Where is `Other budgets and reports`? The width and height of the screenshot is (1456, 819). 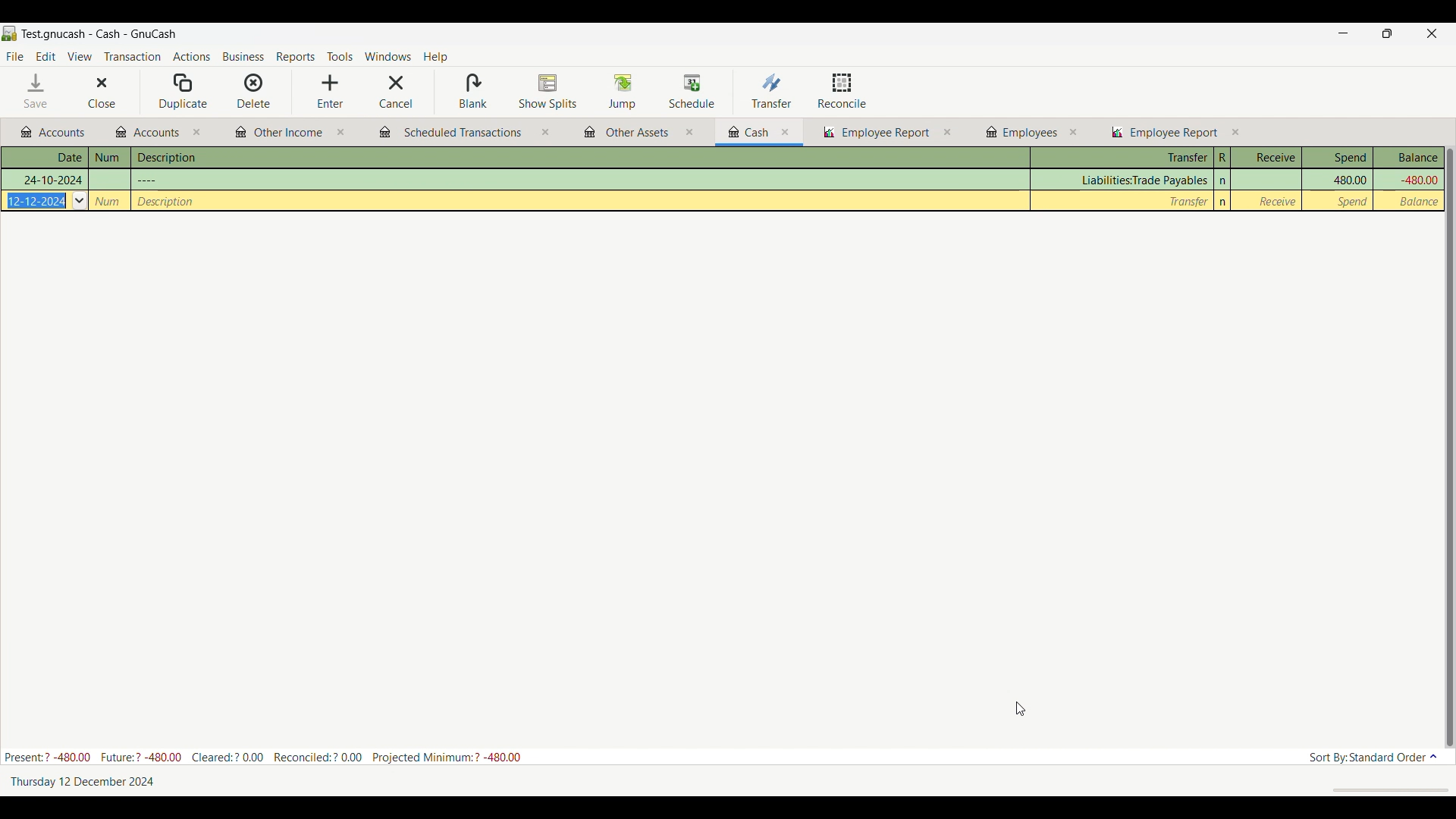 Other budgets and reports is located at coordinates (750, 133).